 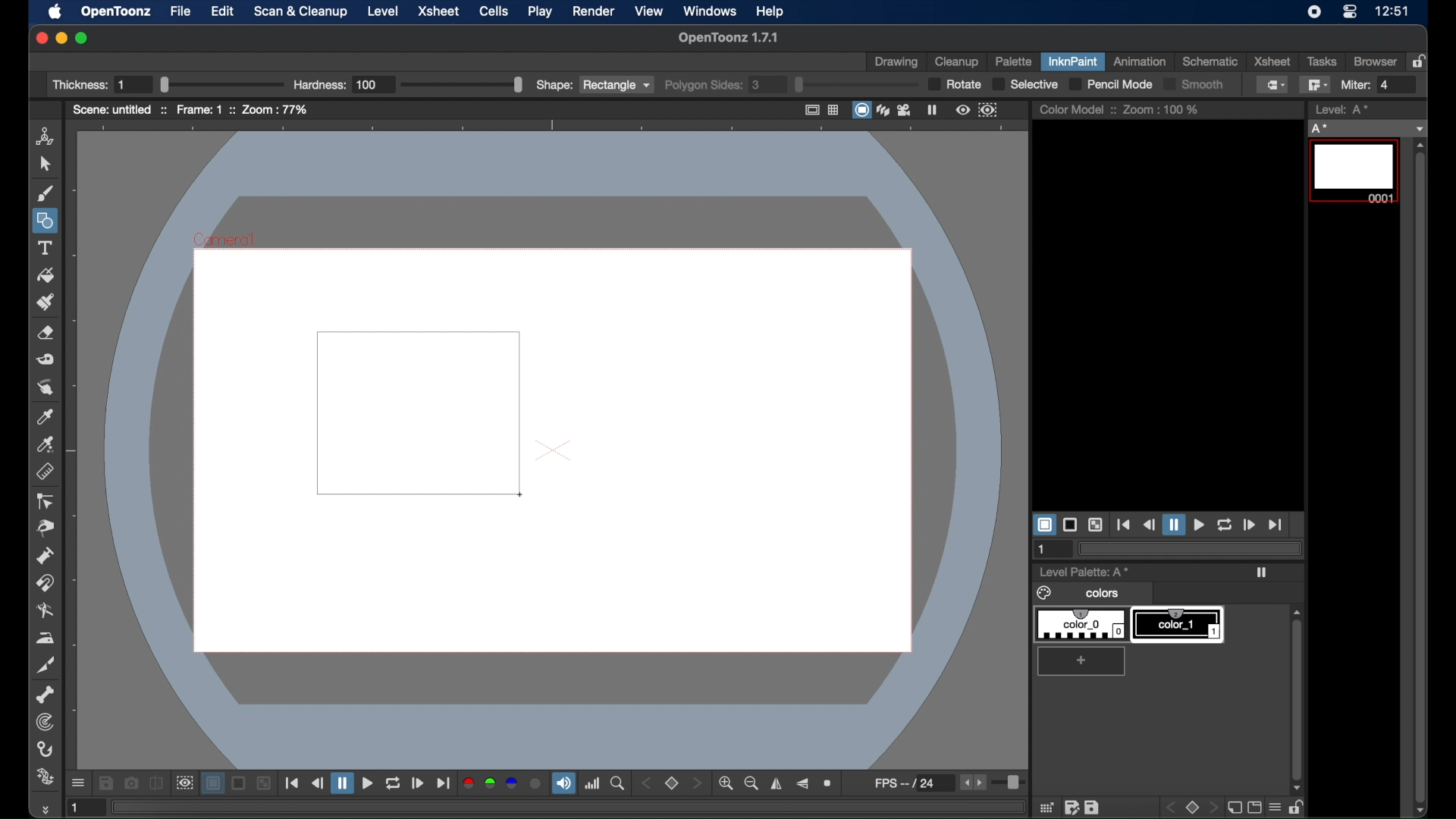 I want to click on scroll box, so click(x=1296, y=689).